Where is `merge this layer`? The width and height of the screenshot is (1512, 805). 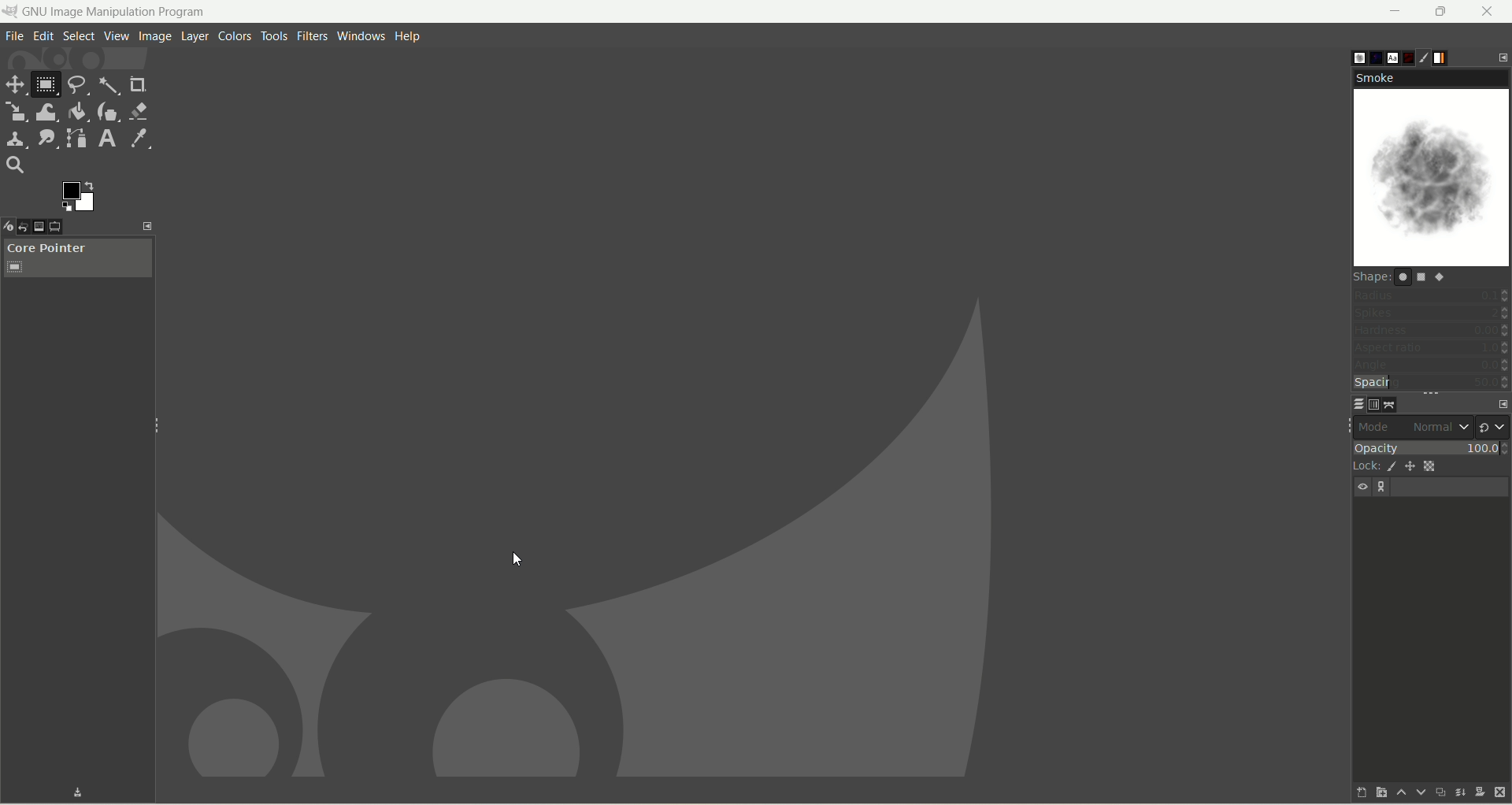
merge this layer is located at coordinates (1458, 790).